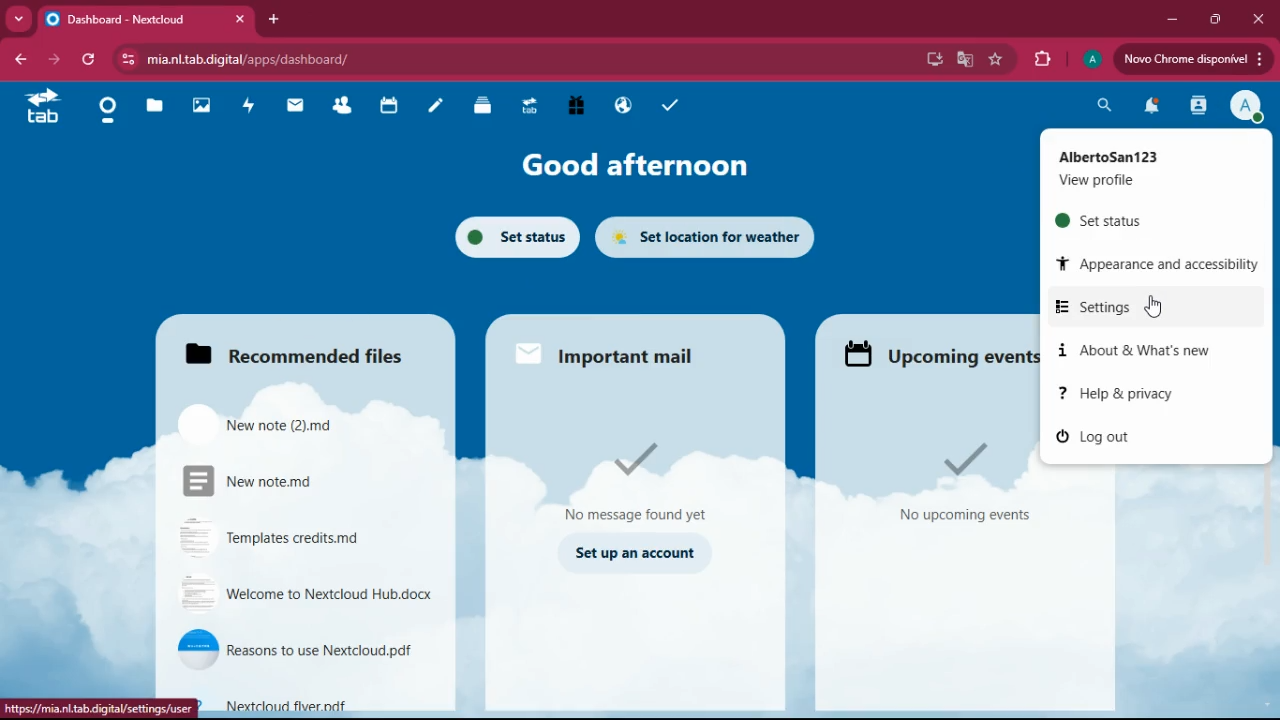  What do you see at coordinates (634, 554) in the screenshot?
I see `set up` at bounding box center [634, 554].